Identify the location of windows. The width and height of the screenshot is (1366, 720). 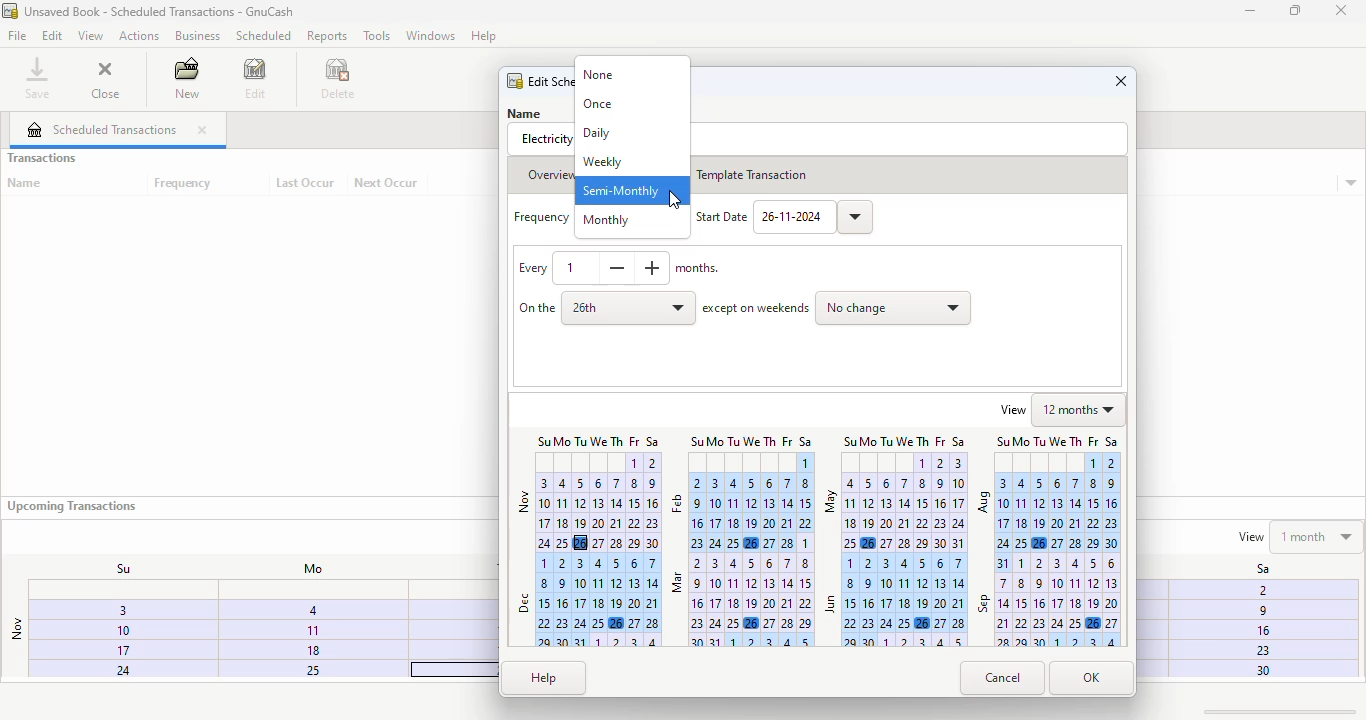
(430, 35).